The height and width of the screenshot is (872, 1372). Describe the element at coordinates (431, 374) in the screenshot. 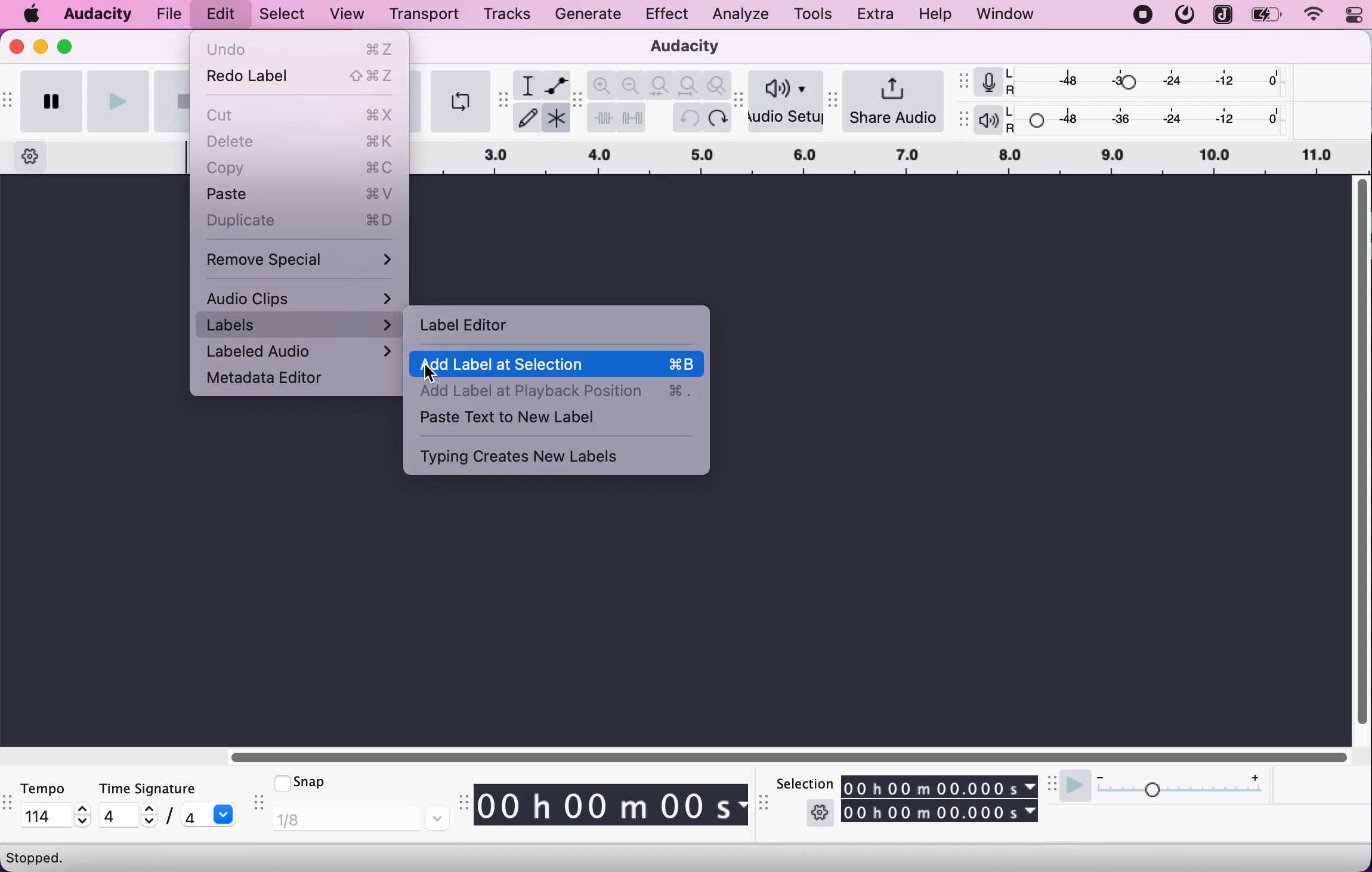

I see `cursor` at that location.